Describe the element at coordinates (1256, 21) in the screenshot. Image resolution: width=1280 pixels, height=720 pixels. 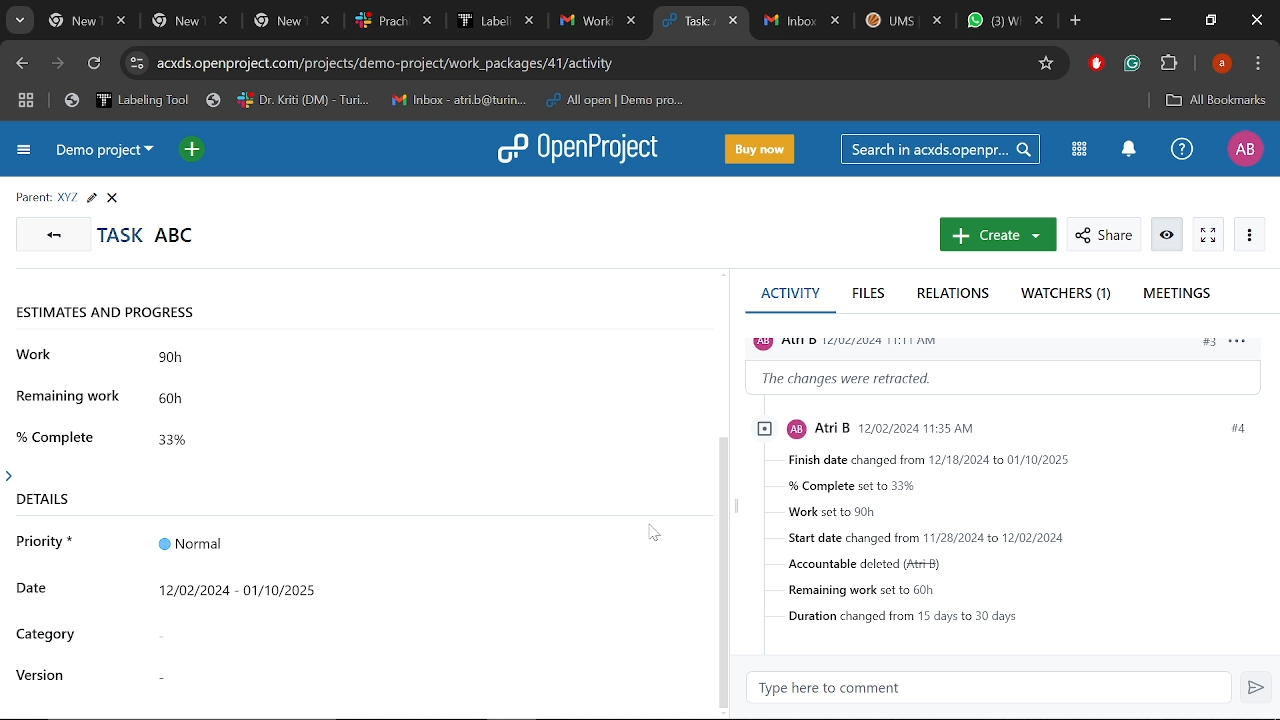
I see `Close` at that location.